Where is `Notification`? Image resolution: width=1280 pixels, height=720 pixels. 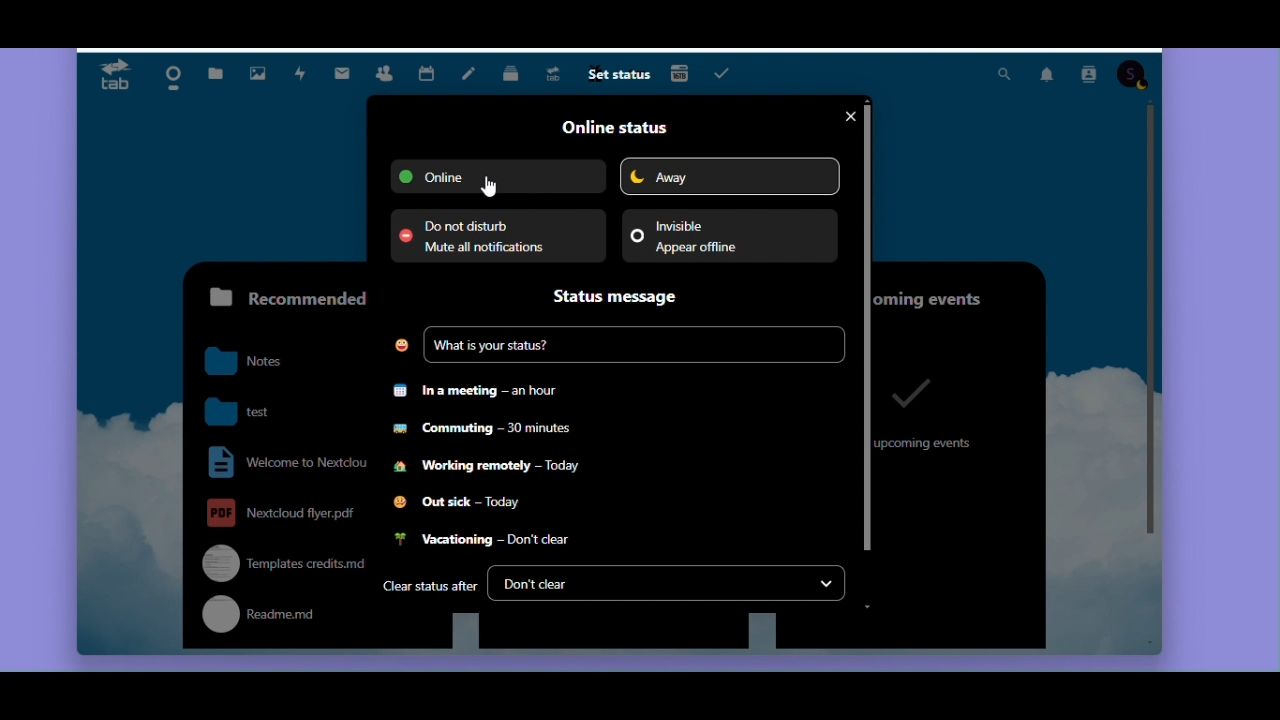 Notification is located at coordinates (1045, 76).